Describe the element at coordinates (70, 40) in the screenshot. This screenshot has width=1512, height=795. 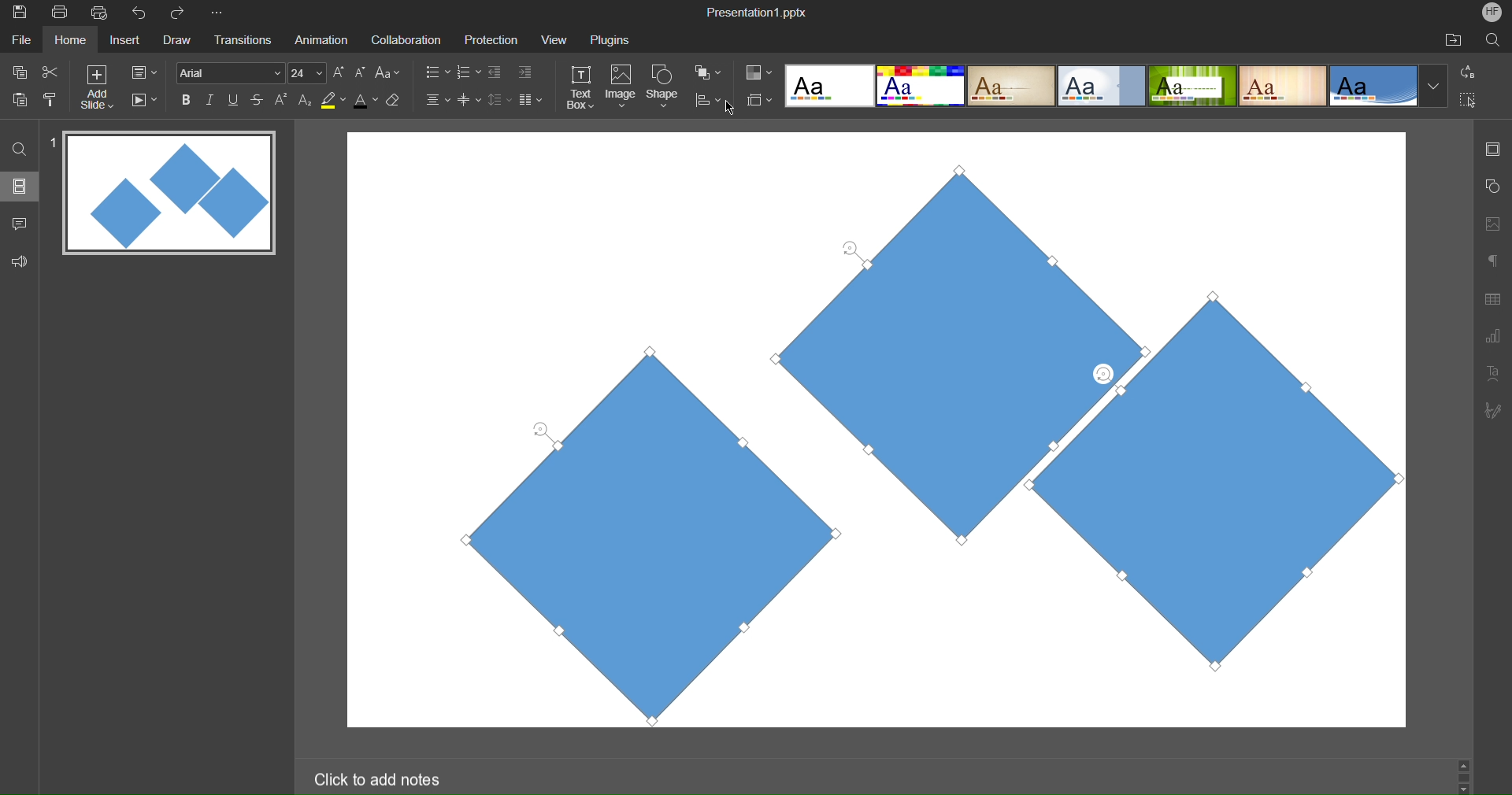
I see `Home` at that location.